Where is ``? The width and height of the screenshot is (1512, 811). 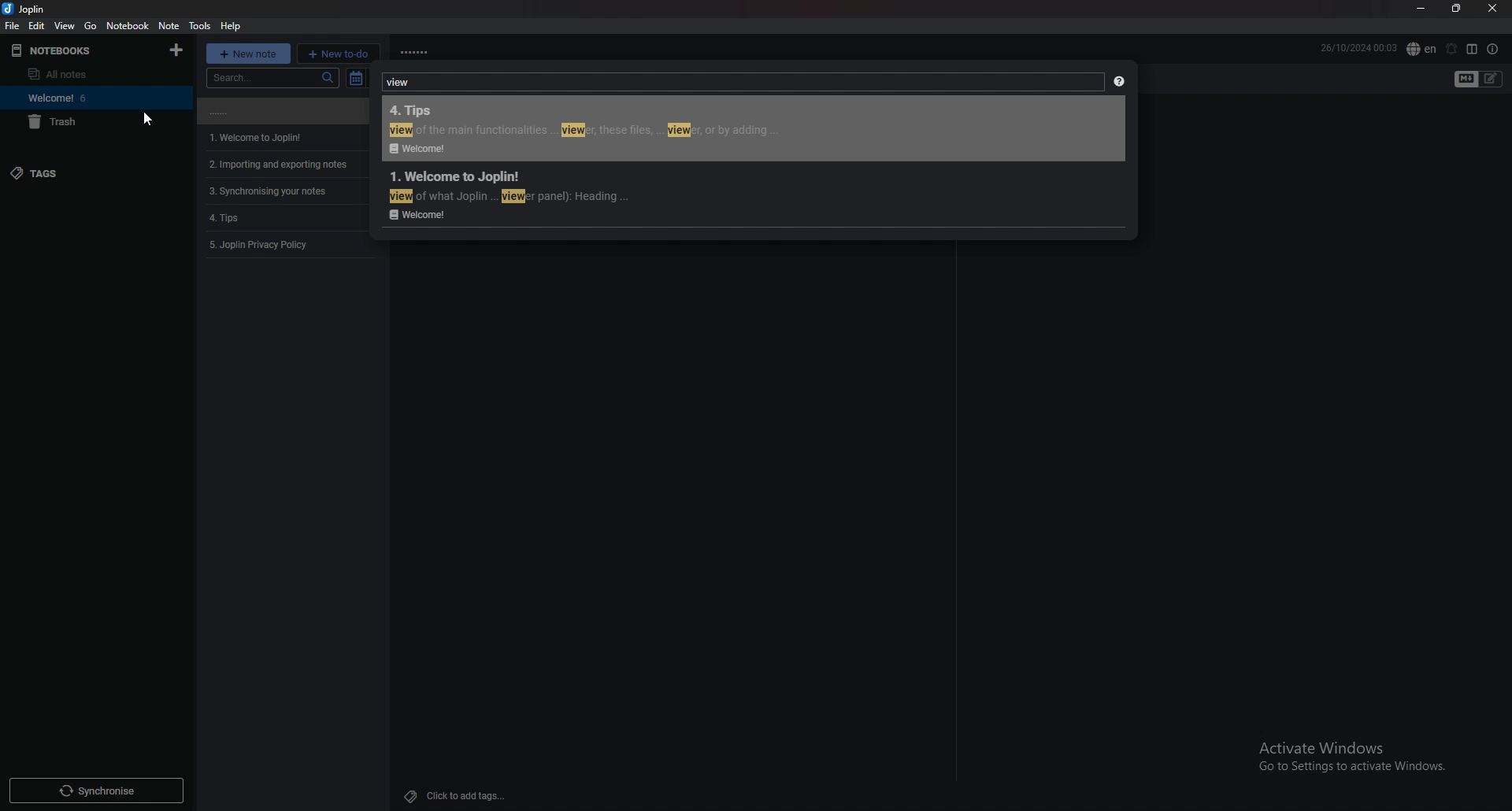  is located at coordinates (94, 791).